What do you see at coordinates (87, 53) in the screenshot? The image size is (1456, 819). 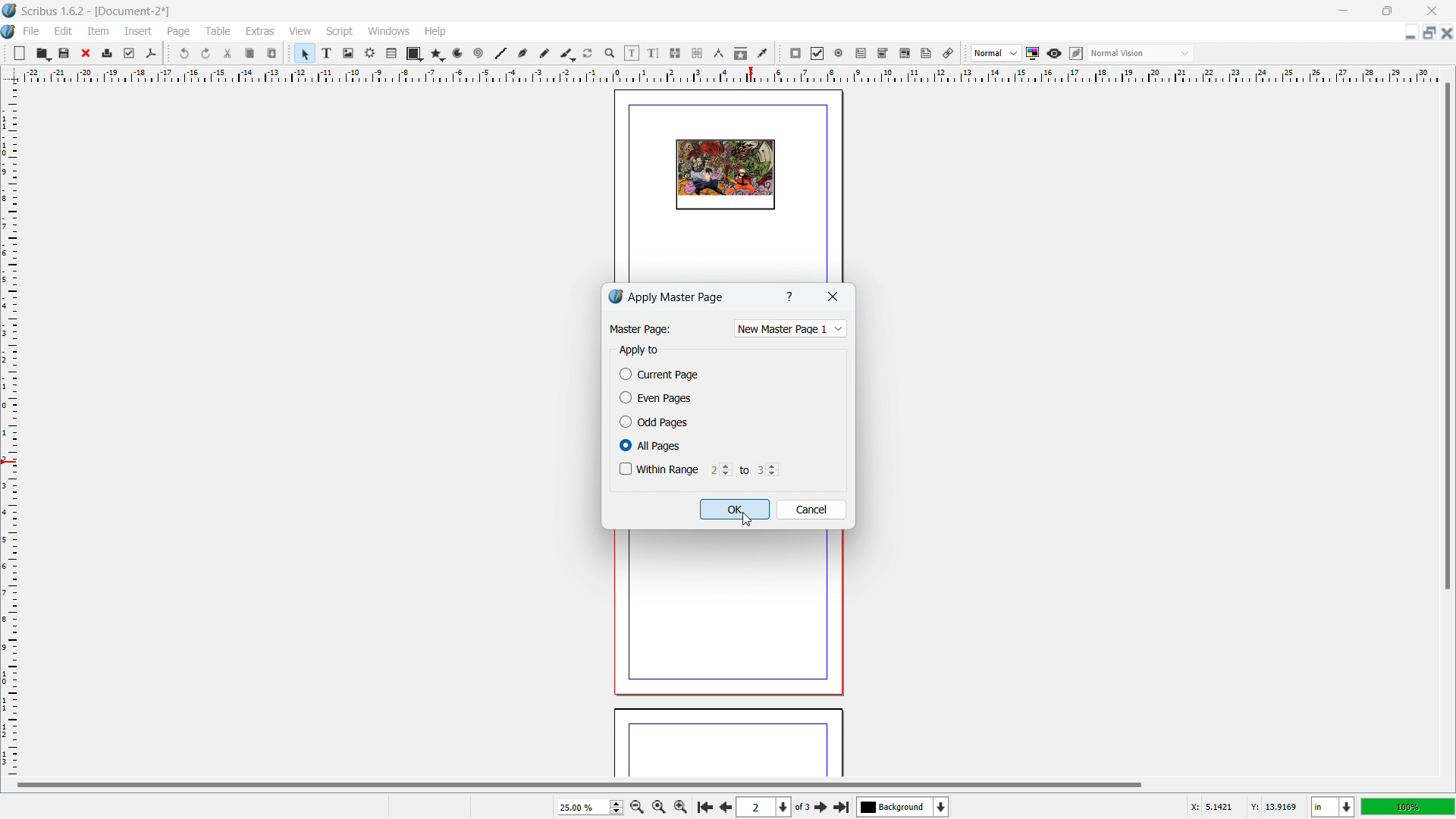 I see `close` at bounding box center [87, 53].